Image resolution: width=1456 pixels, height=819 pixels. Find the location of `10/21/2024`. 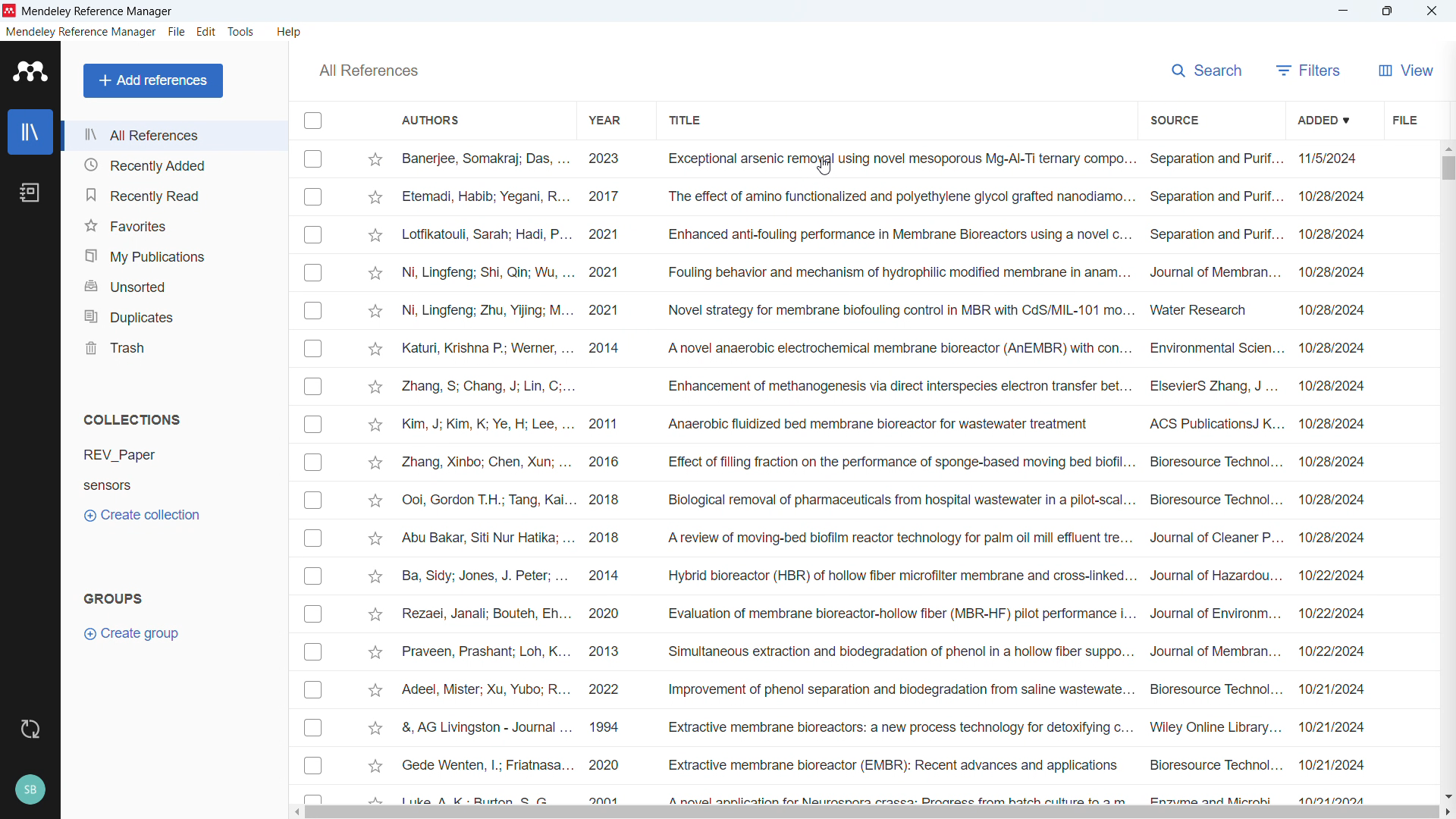

10/21/2024 is located at coordinates (1340, 793).